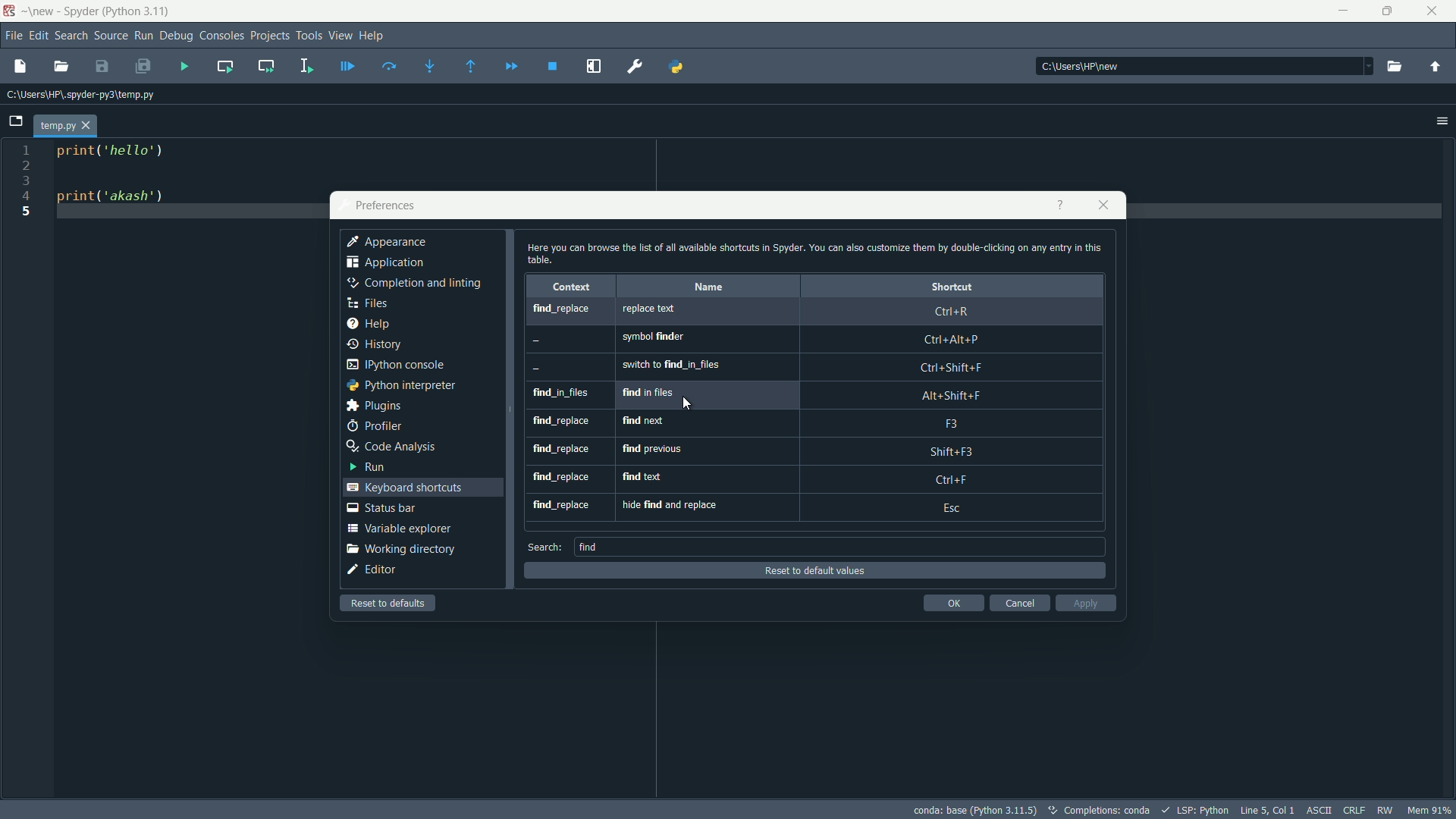 The height and width of the screenshot is (819, 1456). Describe the element at coordinates (513, 67) in the screenshot. I see `continue execution until next breakpoint` at that location.